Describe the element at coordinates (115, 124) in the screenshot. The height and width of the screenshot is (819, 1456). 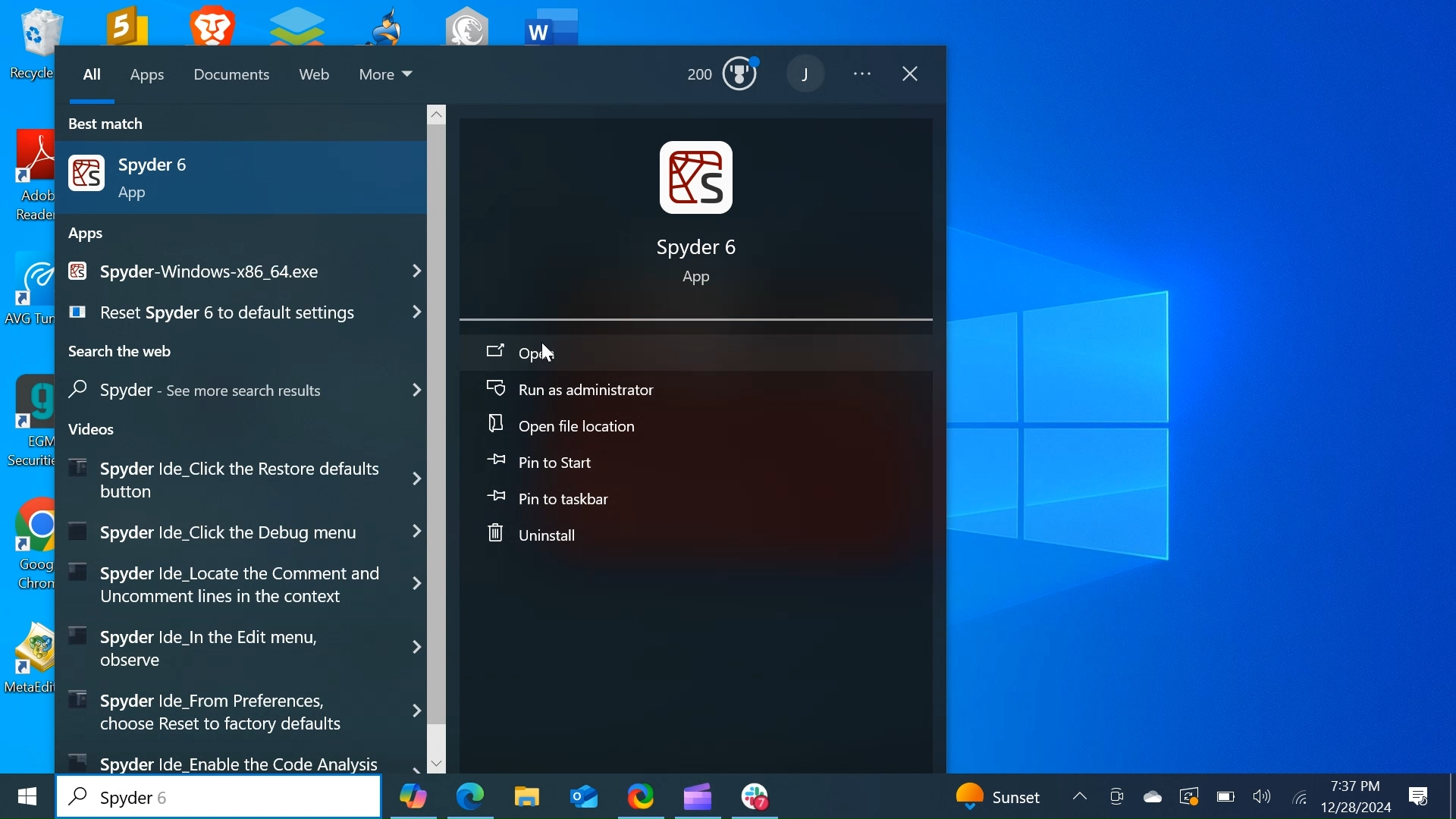
I see `Best Match` at that location.